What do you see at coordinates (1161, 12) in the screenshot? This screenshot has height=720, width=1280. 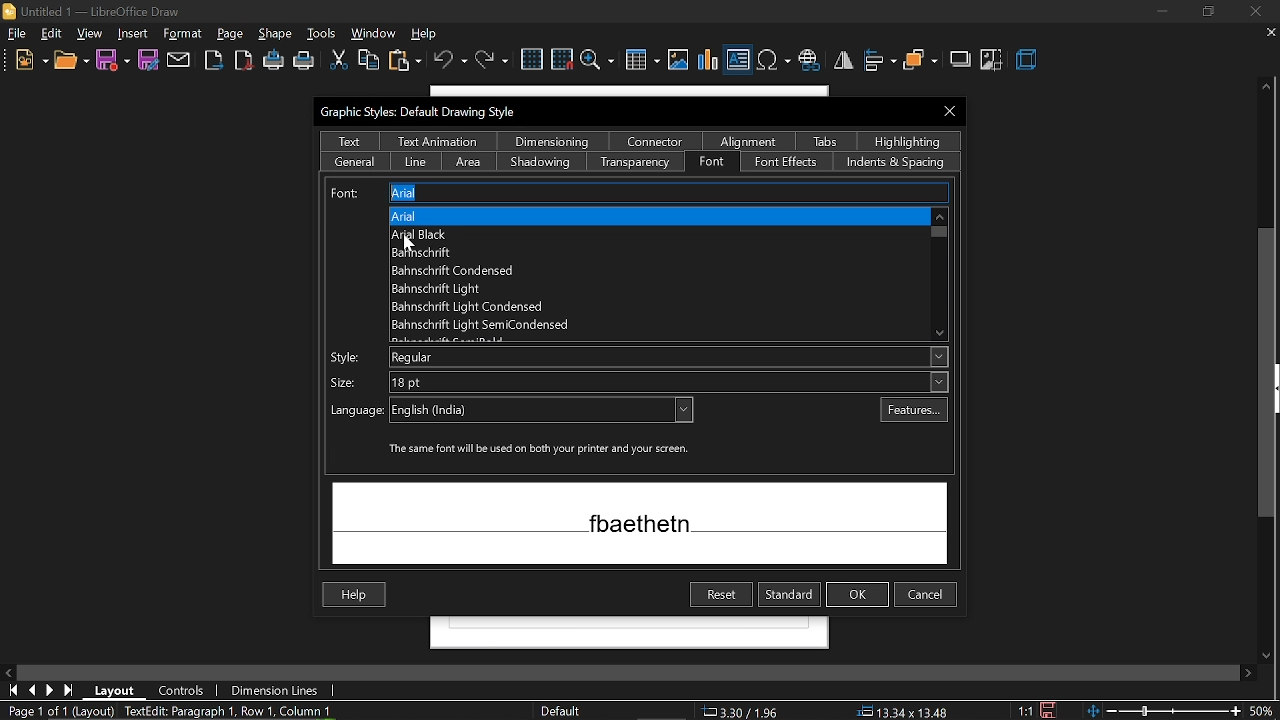 I see `Minimize` at bounding box center [1161, 12].